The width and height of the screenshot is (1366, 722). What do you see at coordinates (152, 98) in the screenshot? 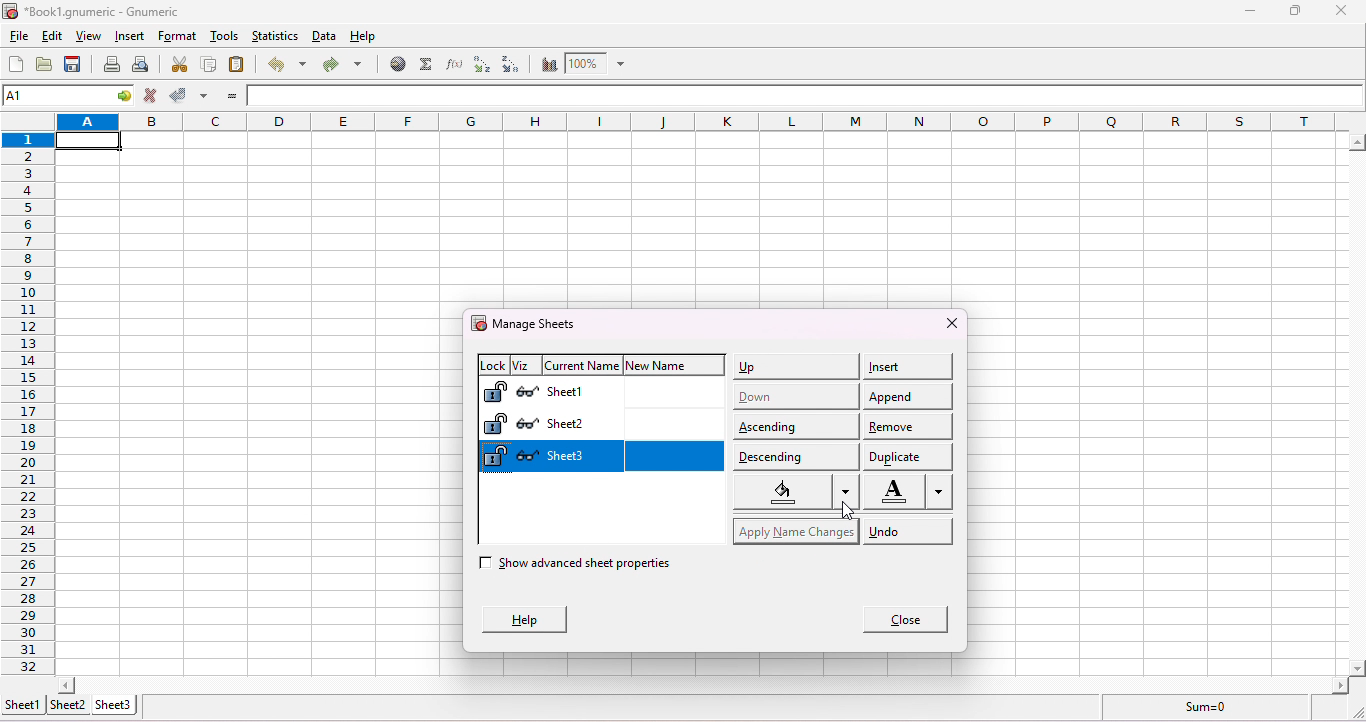
I see `cancel change` at bounding box center [152, 98].